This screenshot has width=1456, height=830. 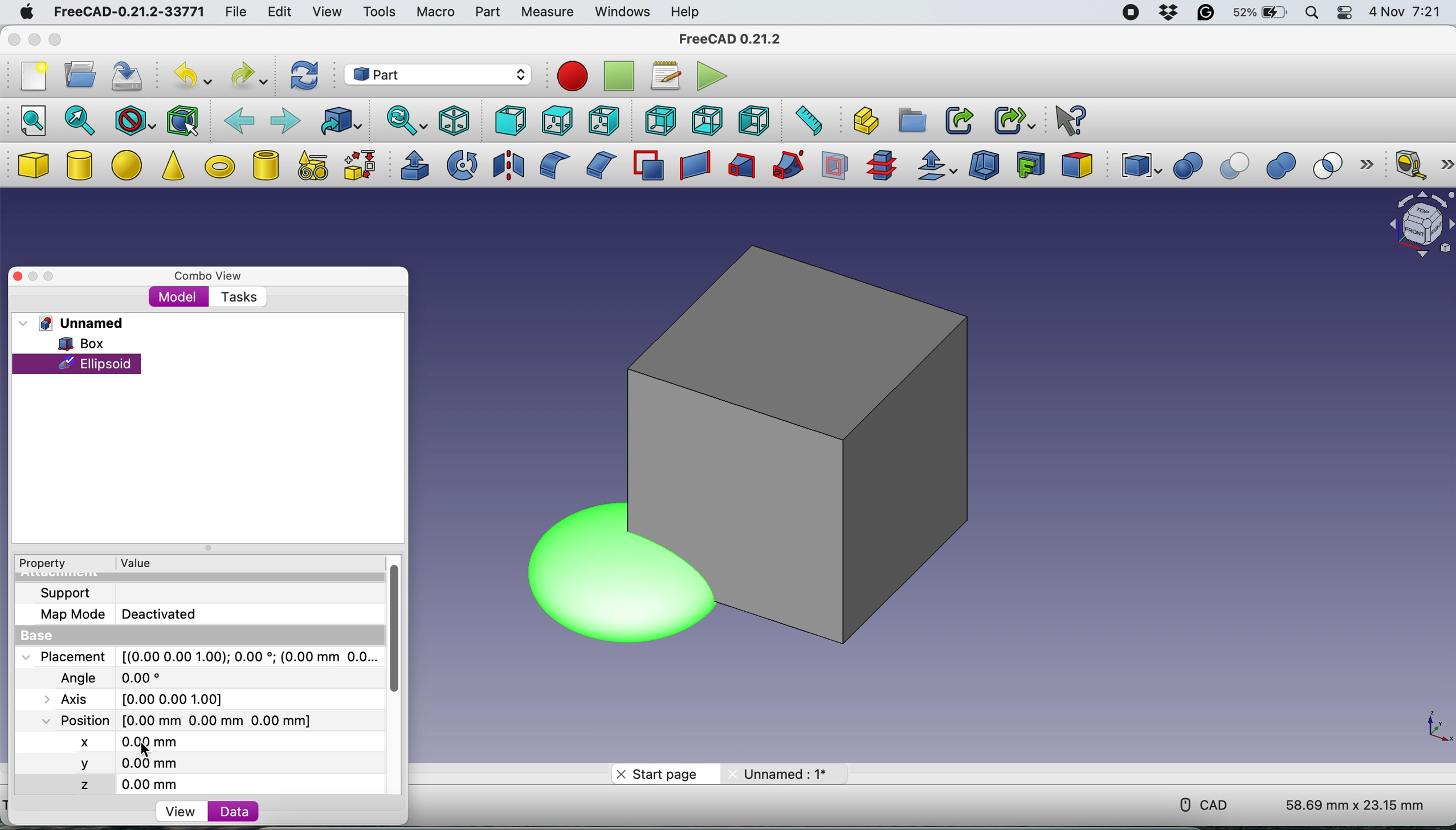 What do you see at coordinates (76, 75) in the screenshot?
I see `open` at bounding box center [76, 75].